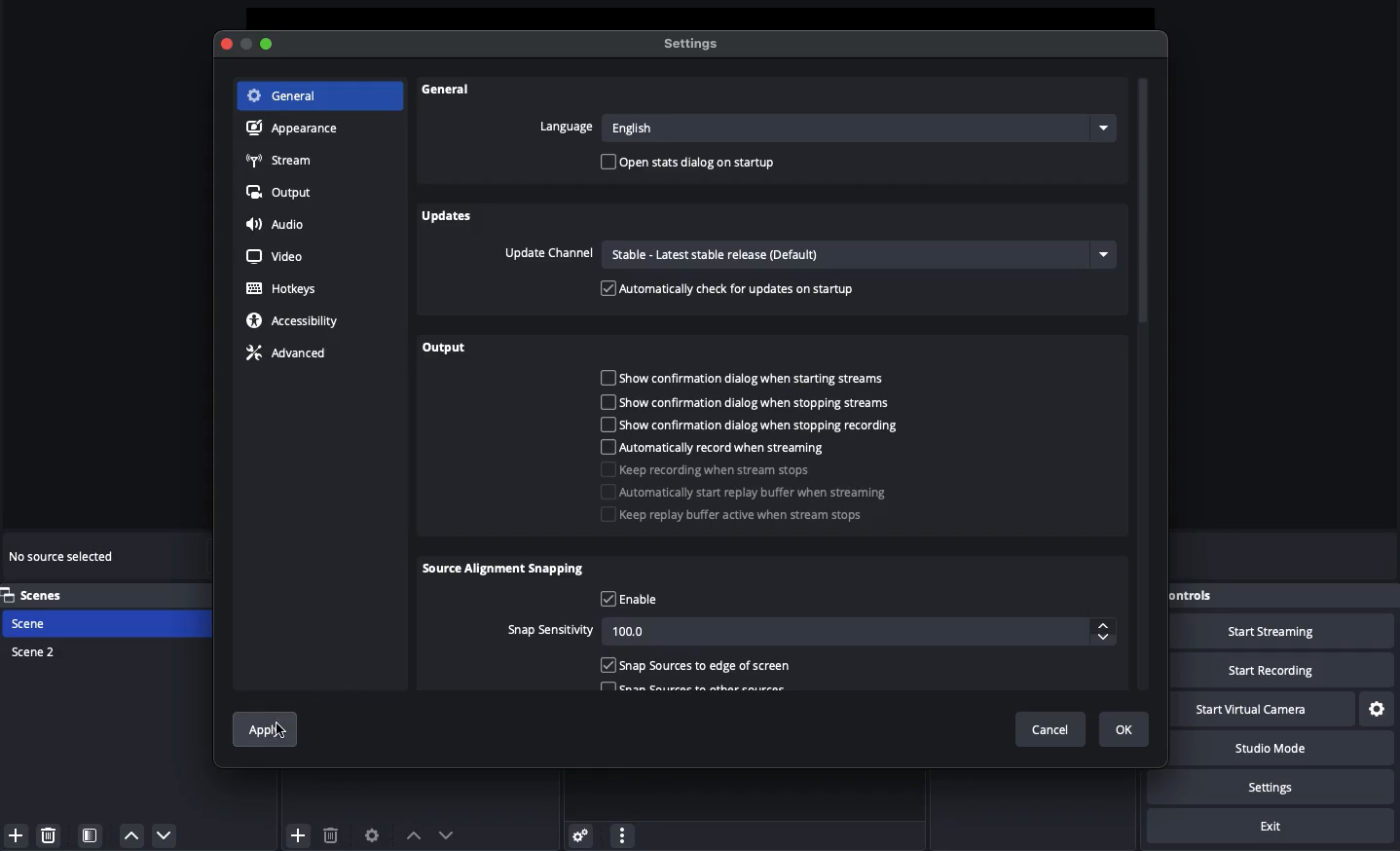  Describe the element at coordinates (91, 836) in the screenshot. I see `Scene filter` at that location.